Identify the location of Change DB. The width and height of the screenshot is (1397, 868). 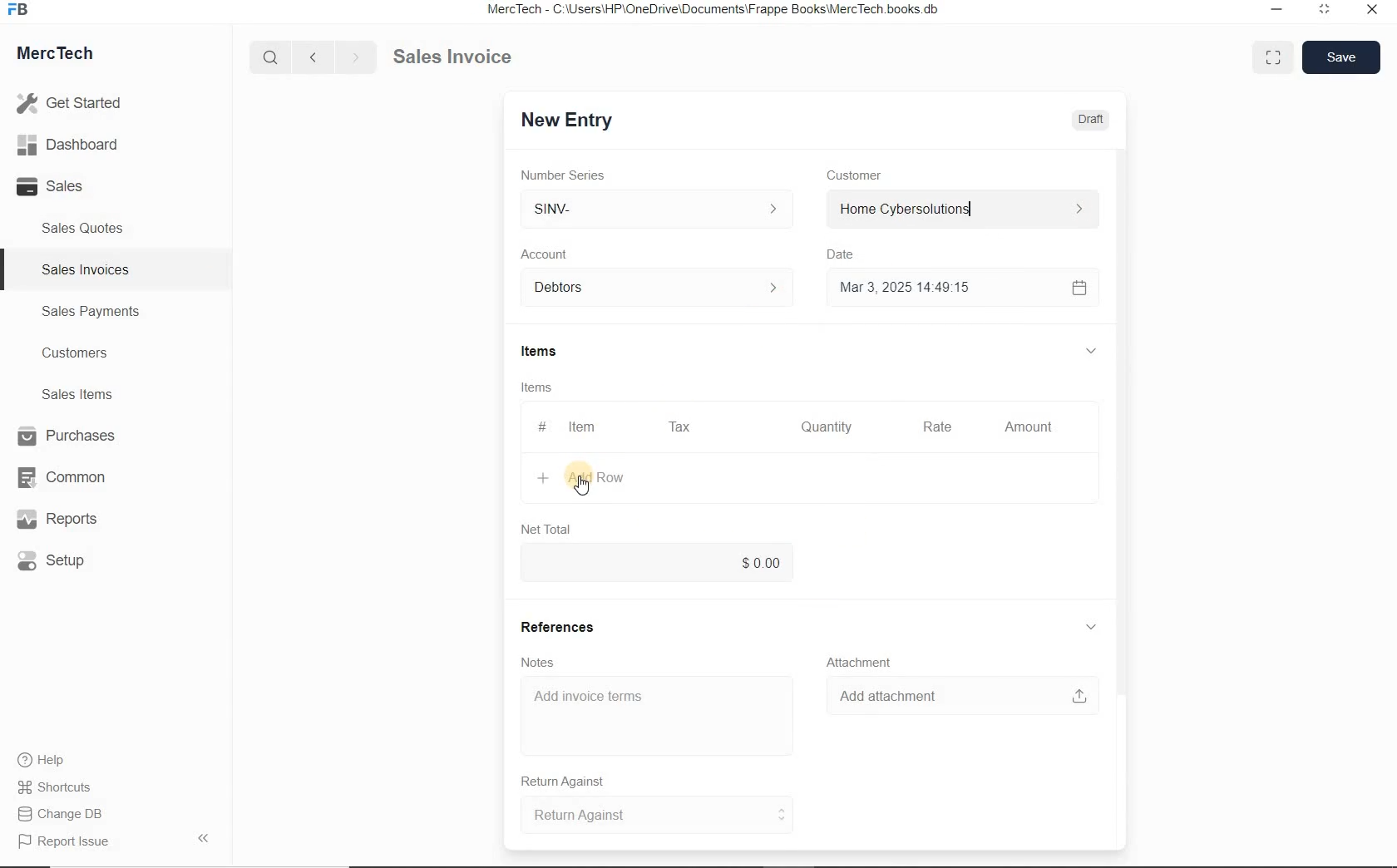
(62, 814).